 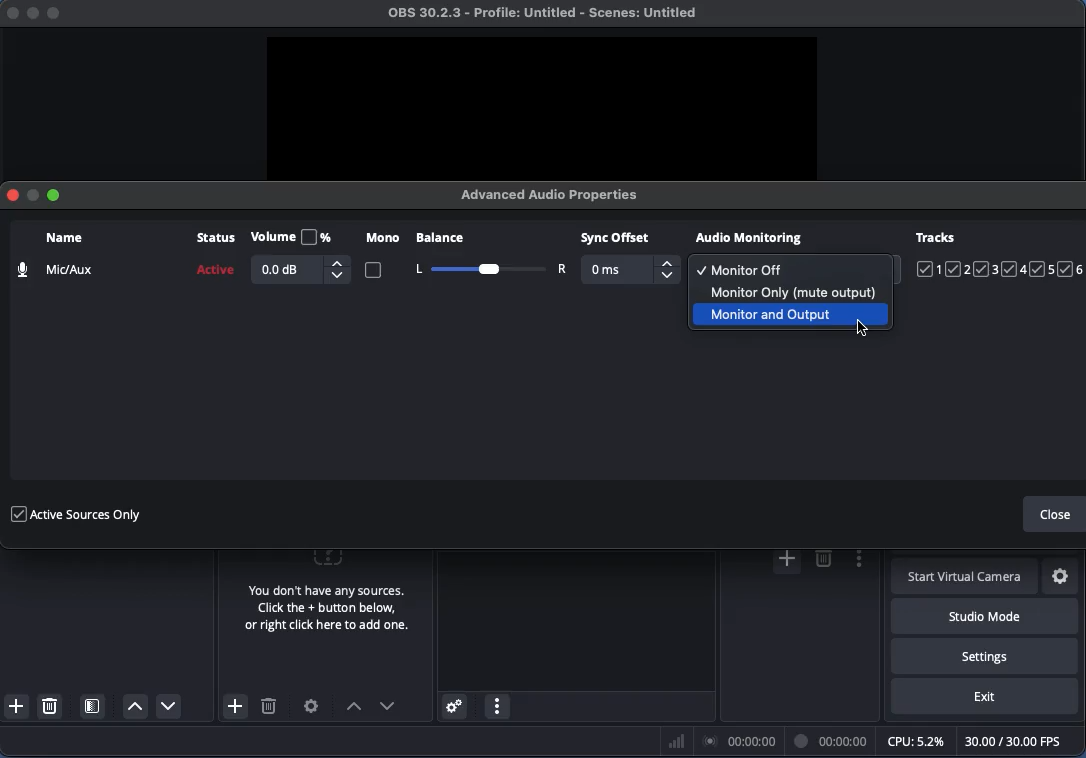 I want to click on close, so click(x=8, y=14).